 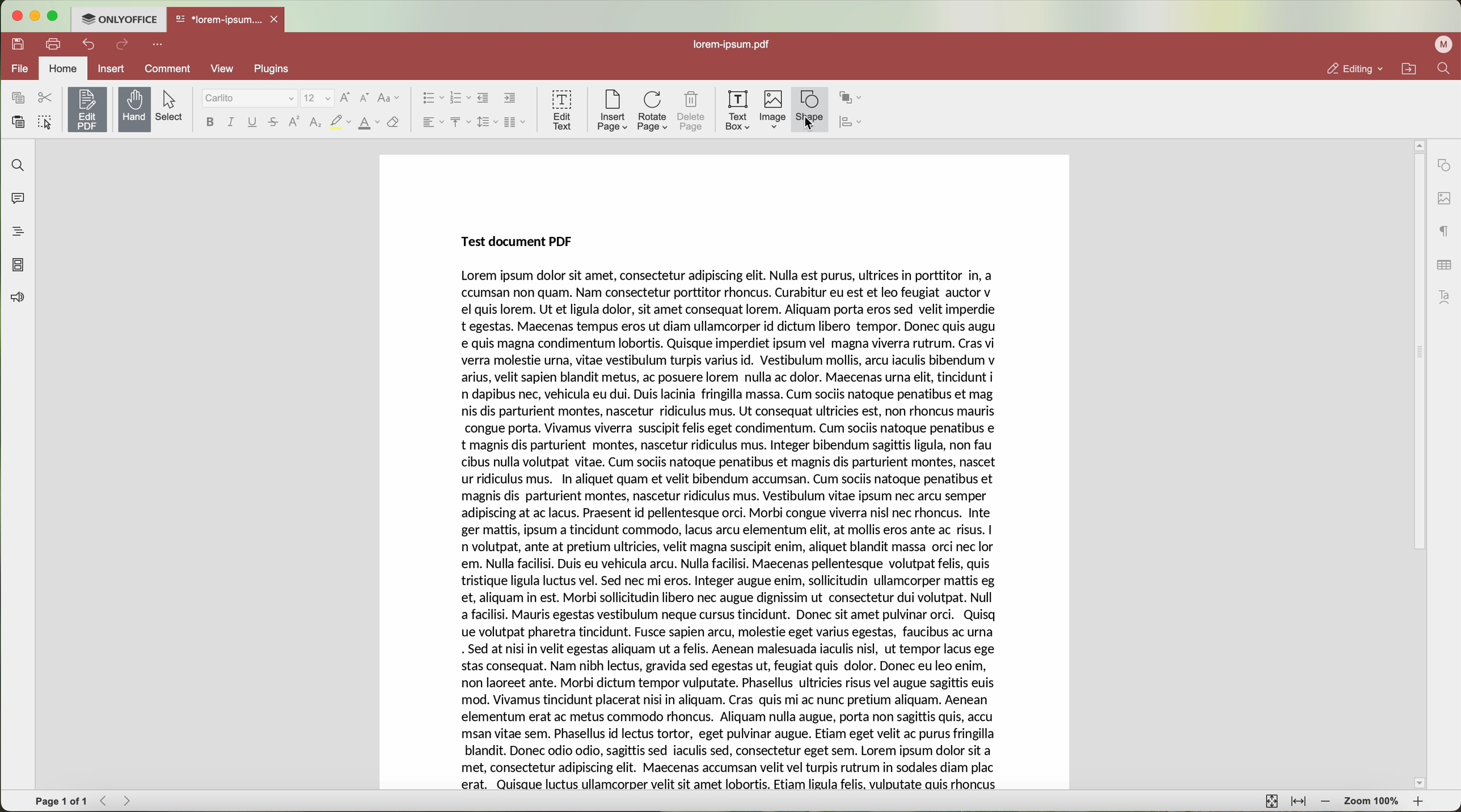 What do you see at coordinates (514, 240) in the screenshot?
I see `Test document PDF` at bounding box center [514, 240].